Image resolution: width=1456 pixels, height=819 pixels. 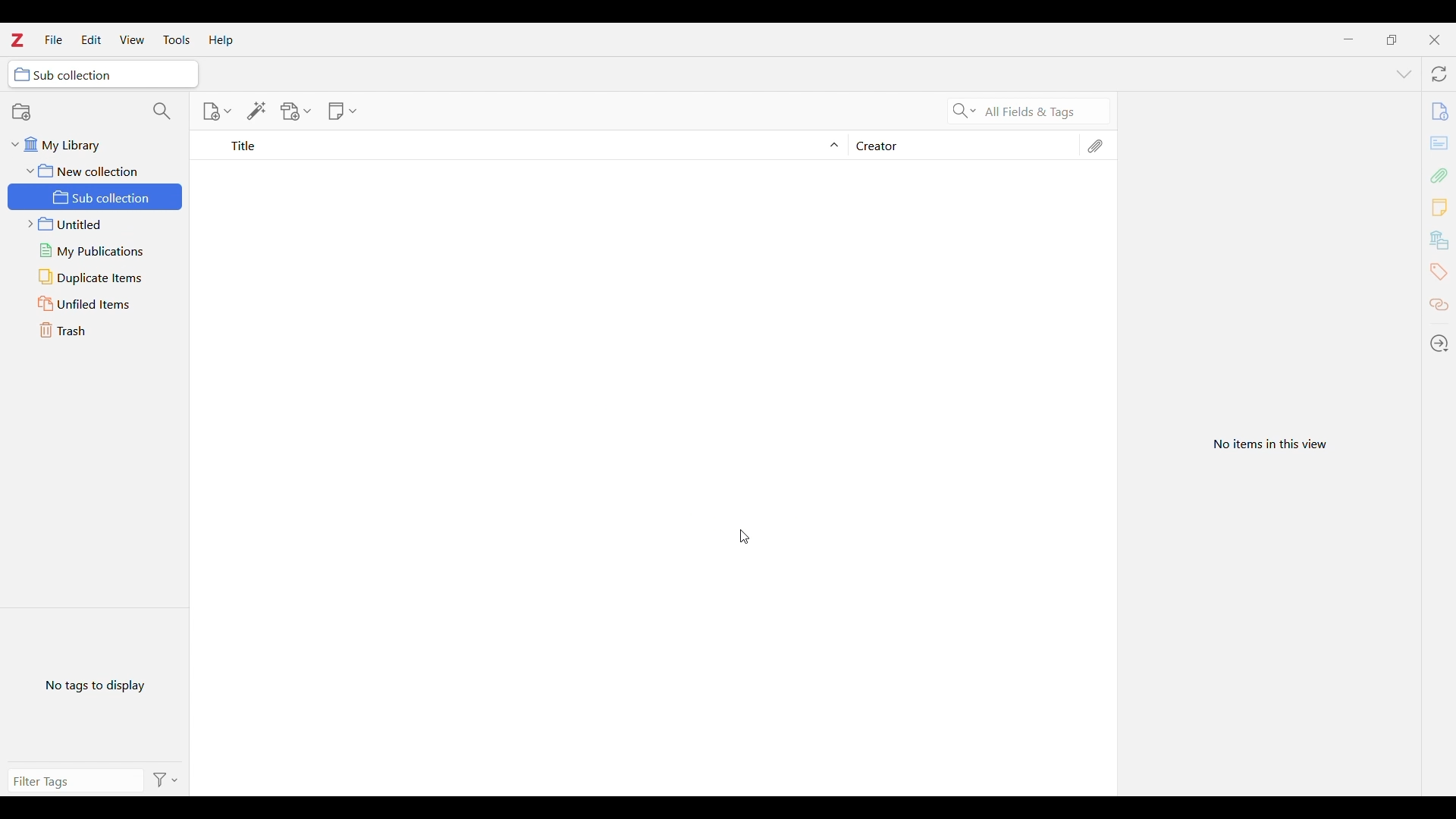 I want to click on My publications folder, so click(x=97, y=224).